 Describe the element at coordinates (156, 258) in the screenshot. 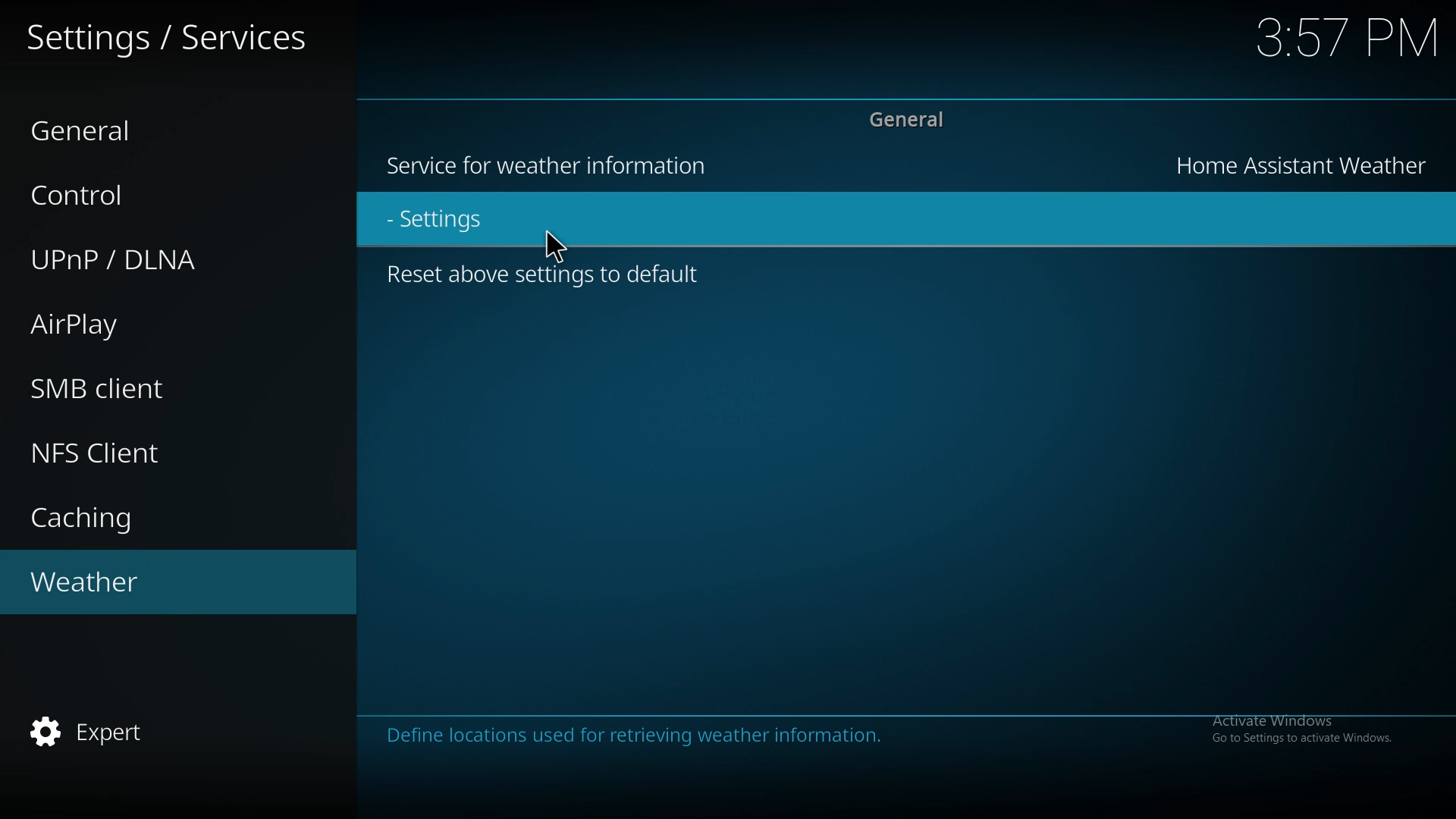

I see `upnp/dlna` at that location.